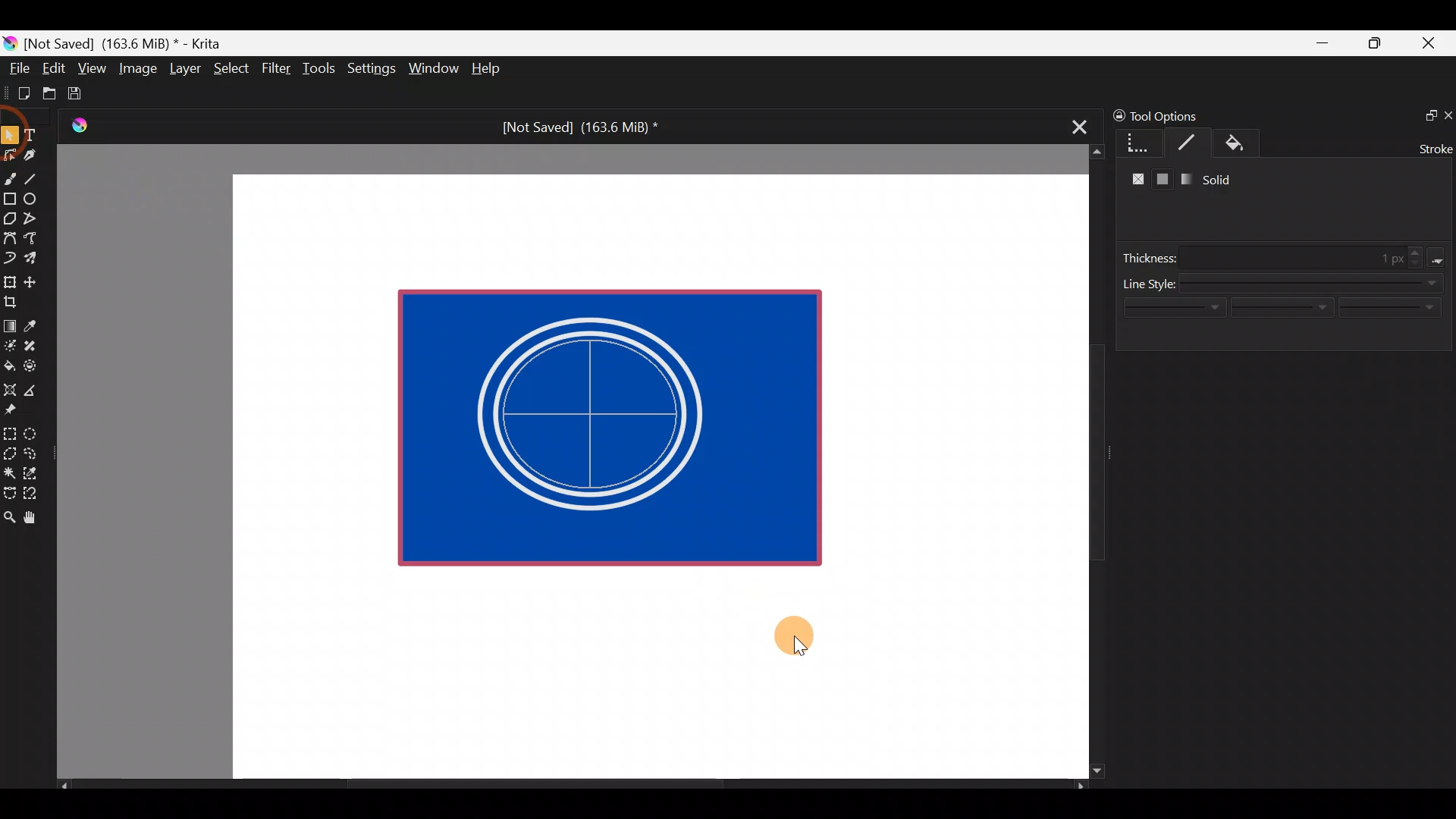 The image size is (1456, 819). What do you see at coordinates (10, 154) in the screenshot?
I see `Edit shapes tool` at bounding box center [10, 154].